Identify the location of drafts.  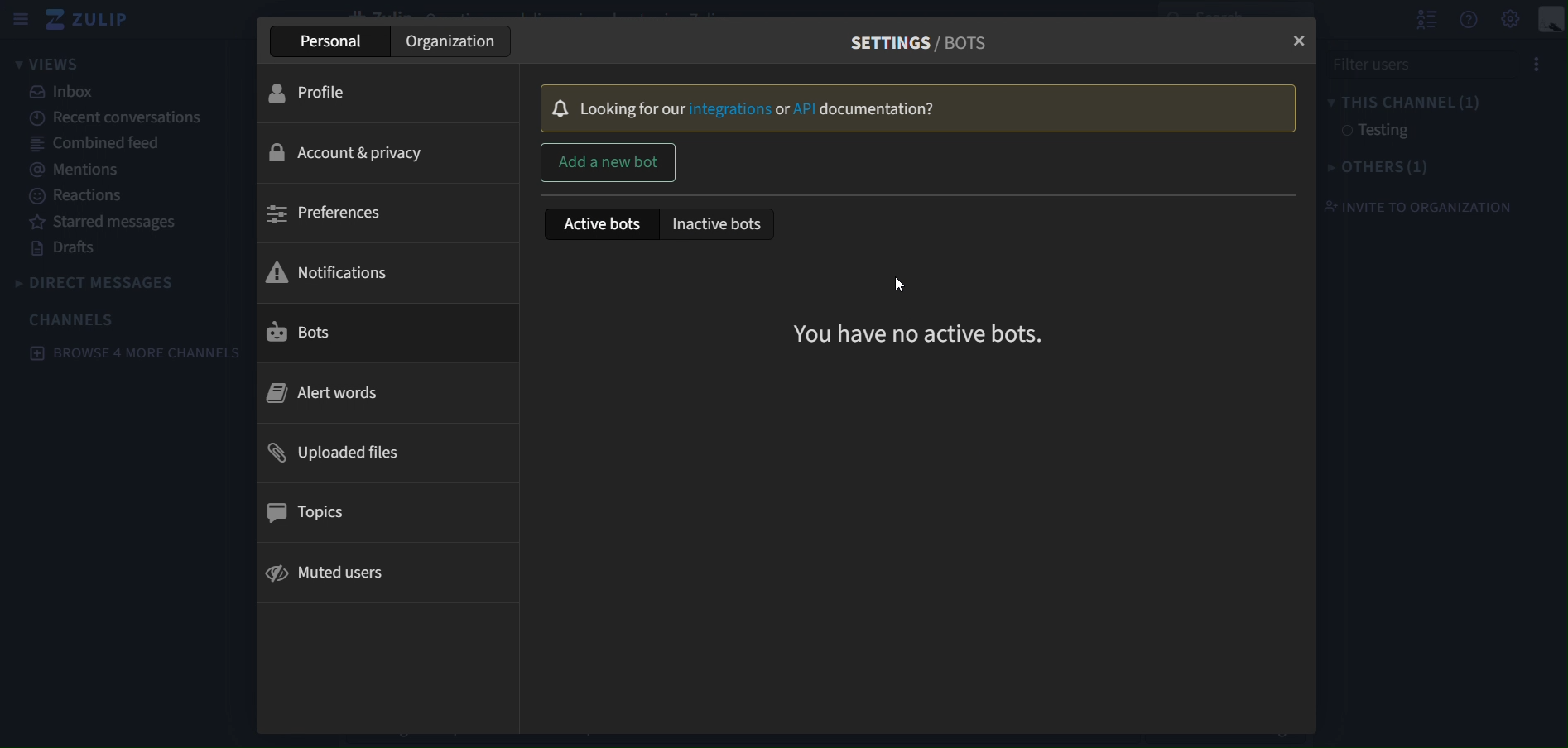
(68, 251).